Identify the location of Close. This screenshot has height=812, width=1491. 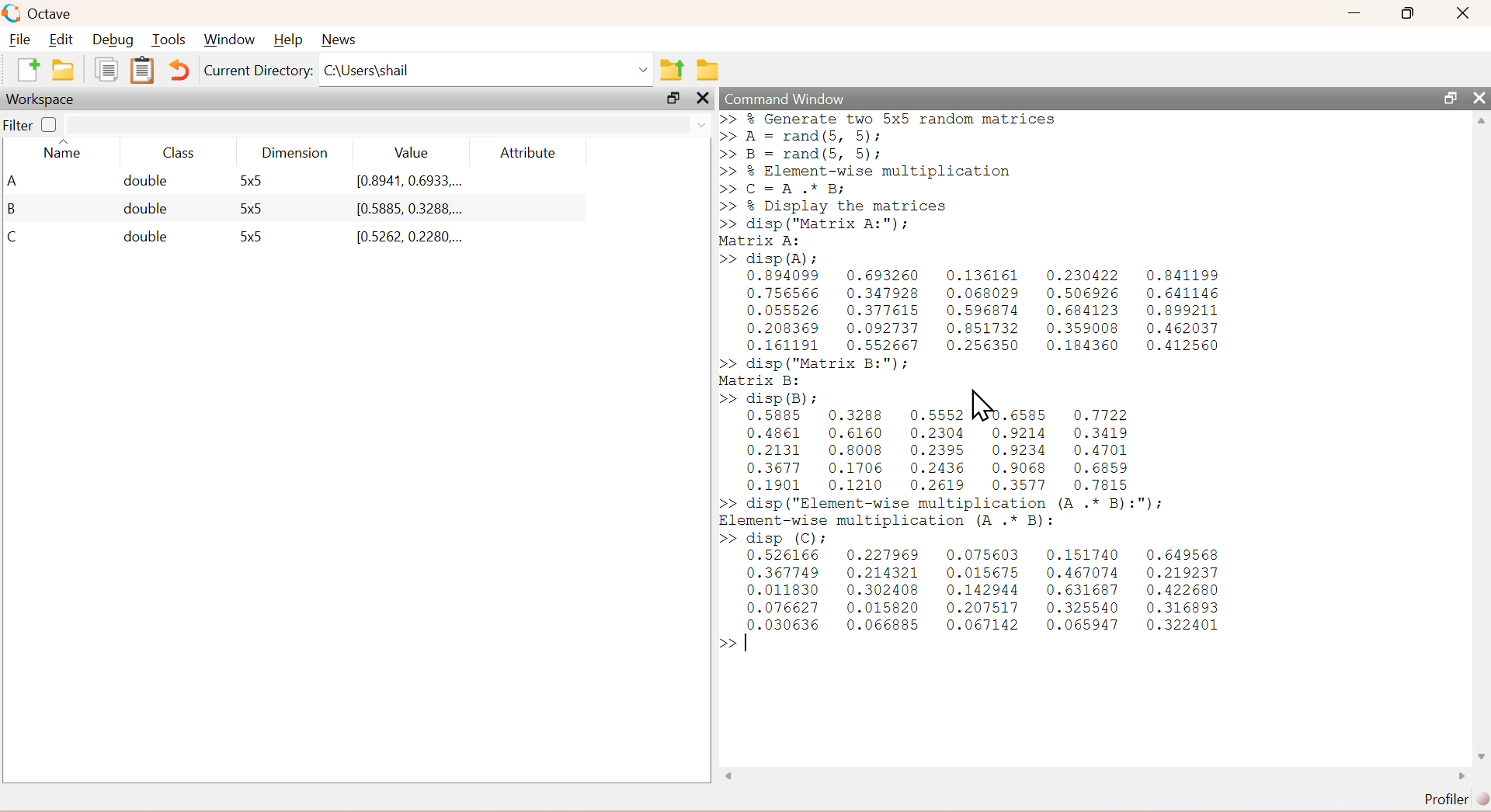
(1477, 95).